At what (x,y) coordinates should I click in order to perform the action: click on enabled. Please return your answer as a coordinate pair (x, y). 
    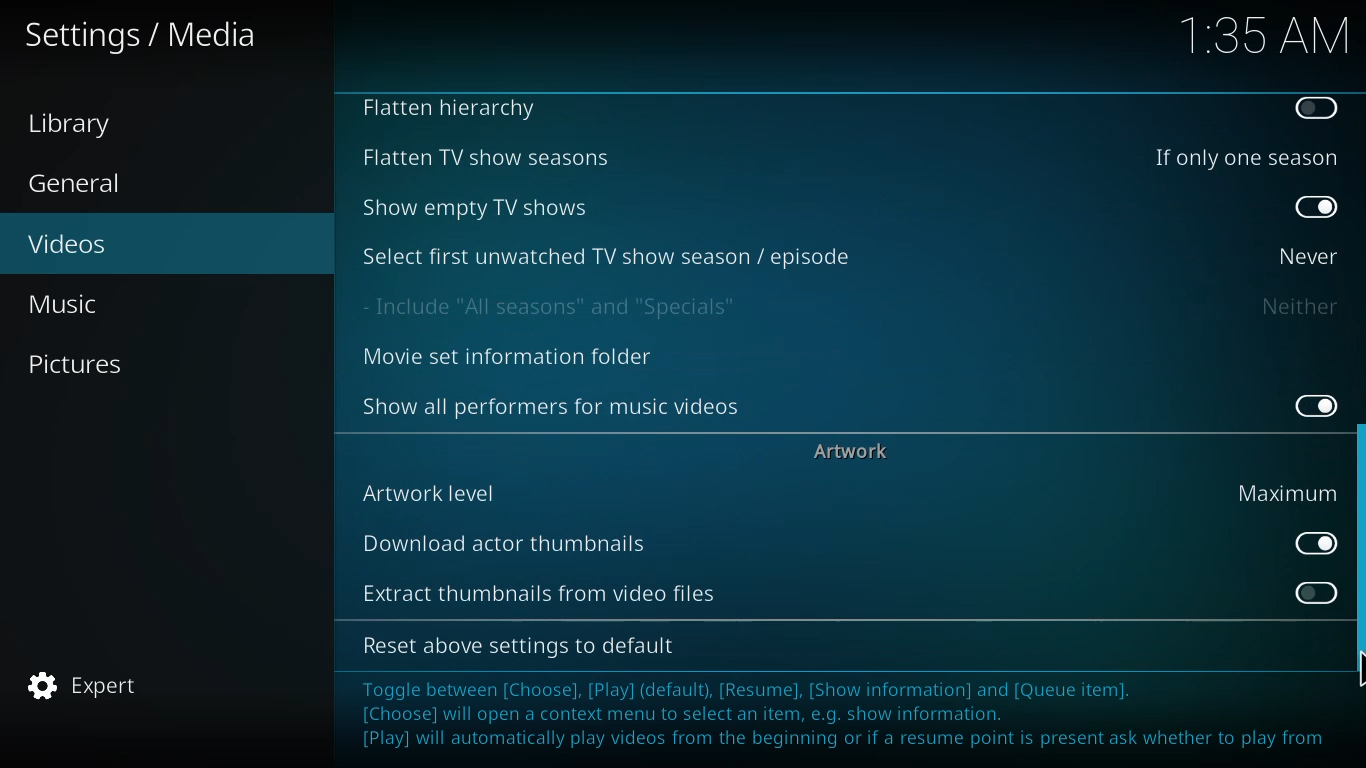
    Looking at the image, I should click on (1310, 402).